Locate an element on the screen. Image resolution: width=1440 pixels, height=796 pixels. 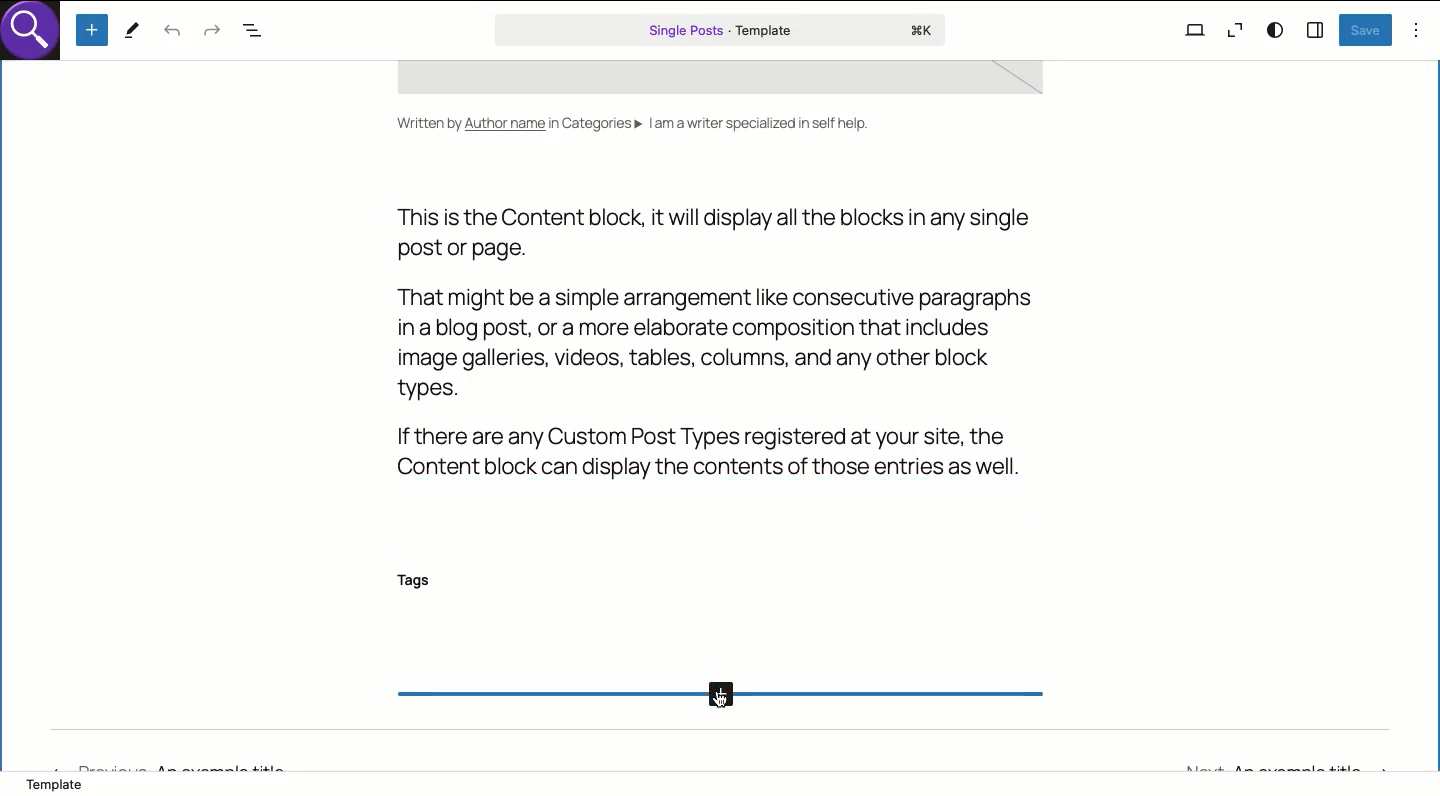
Options is located at coordinates (1417, 30).